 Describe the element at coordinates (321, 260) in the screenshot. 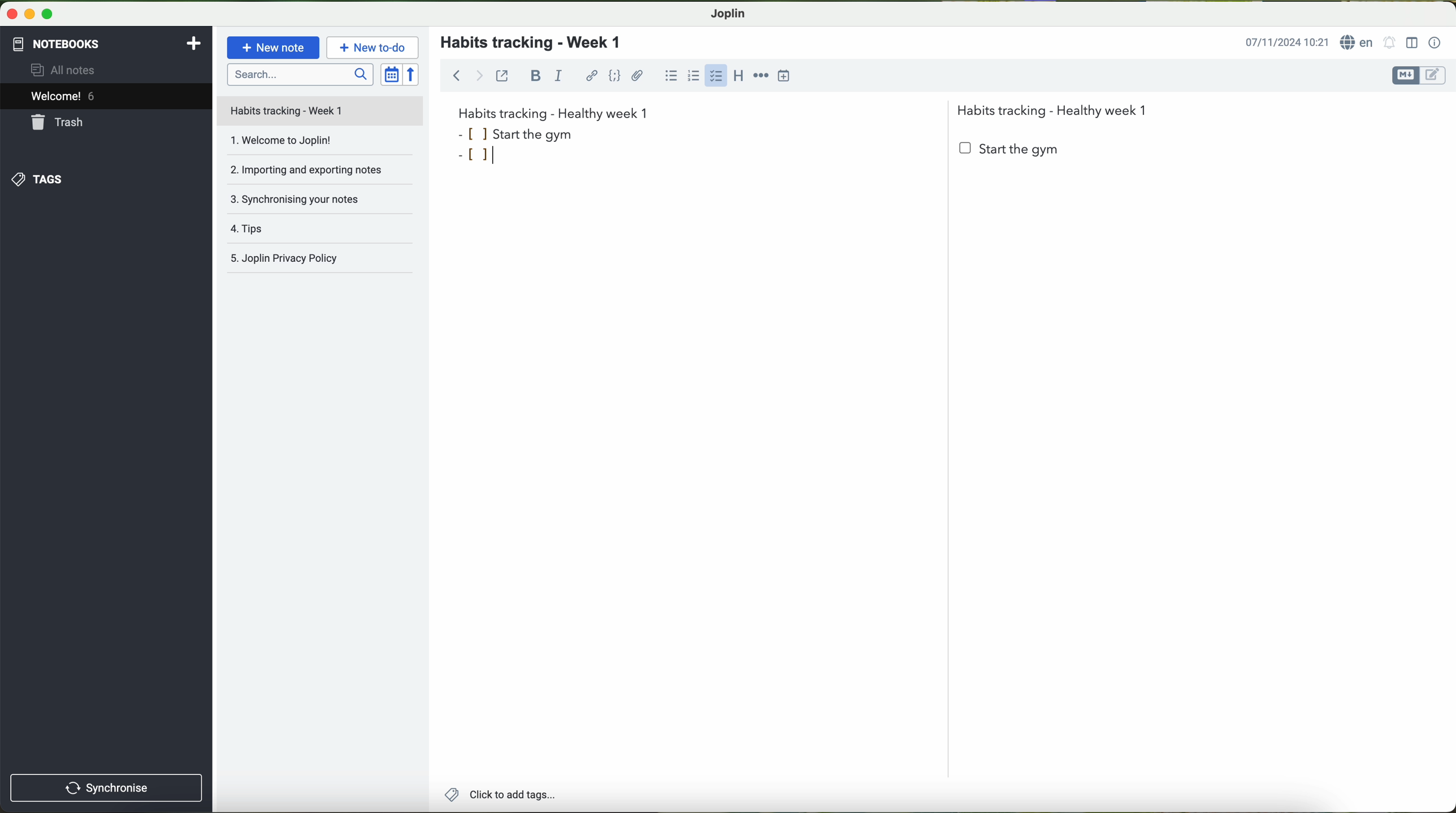

I see `Joplin privacy policy` at that location.